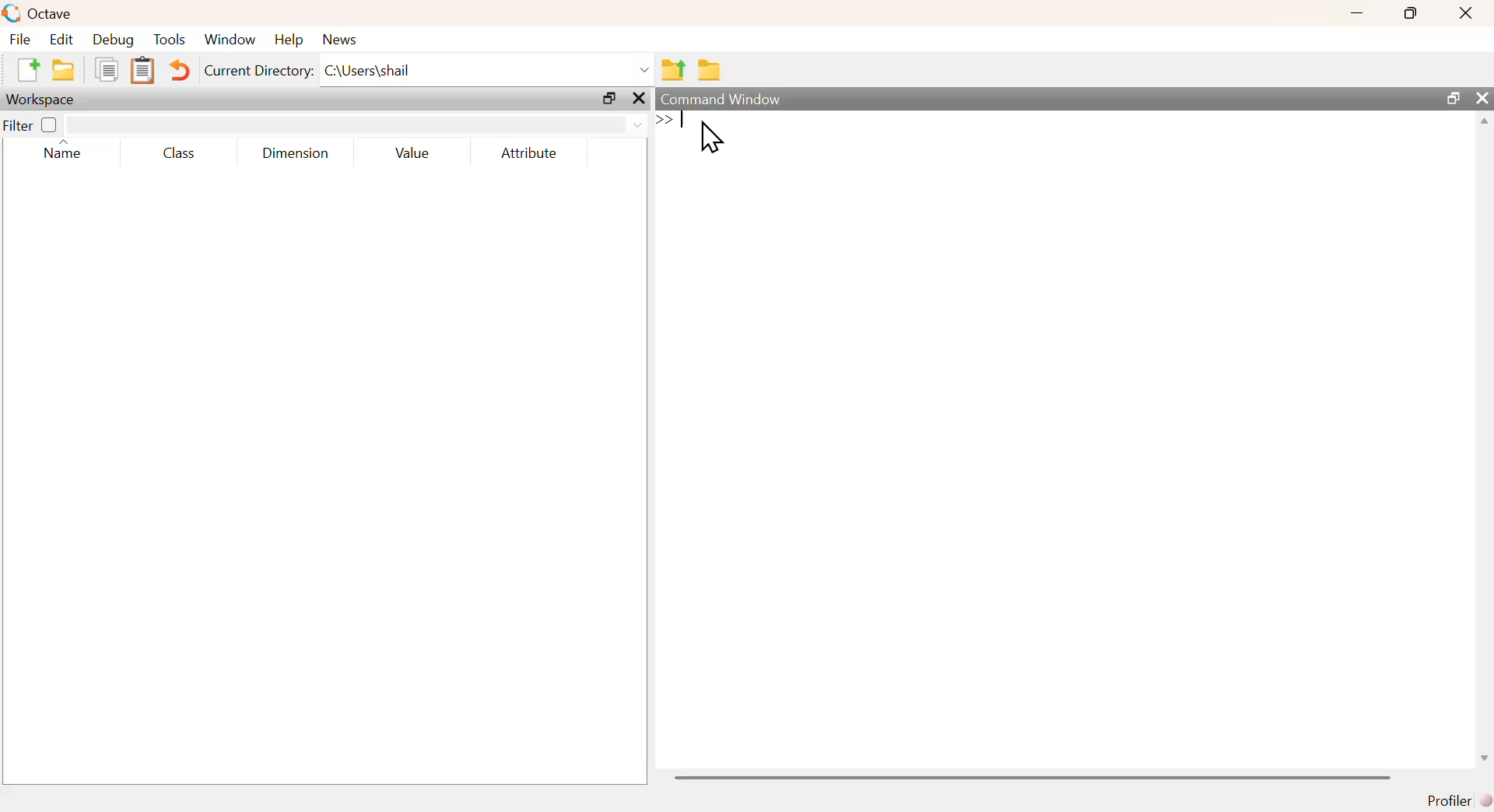 The height and width of the screenshot is (812, 1494). I want to click on Debug, so click(113, 40).